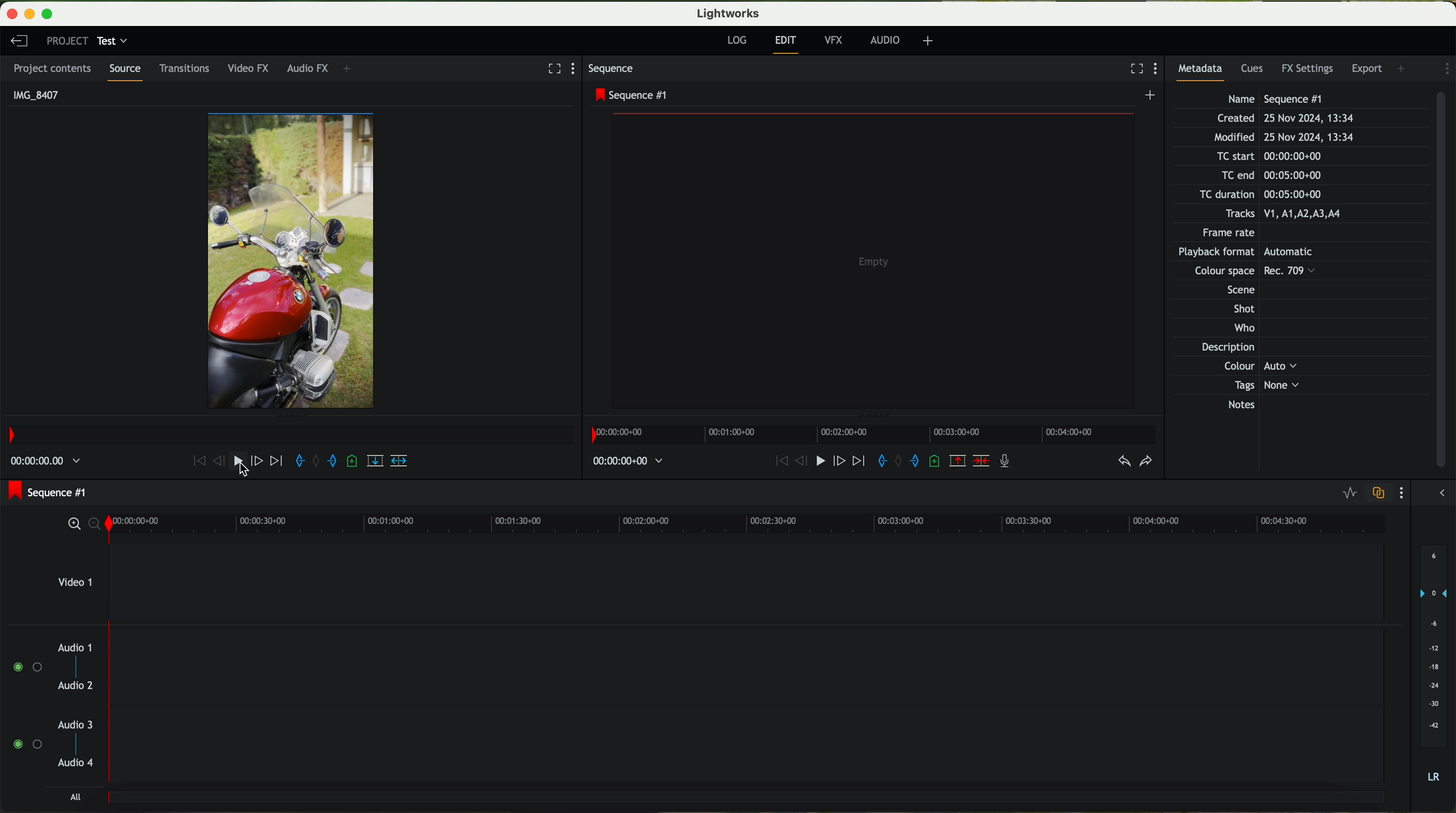  What do you see at coordinates (1132, 68) in the screenshot?
I see `fullscreen` at bounding box center [1132, 68].